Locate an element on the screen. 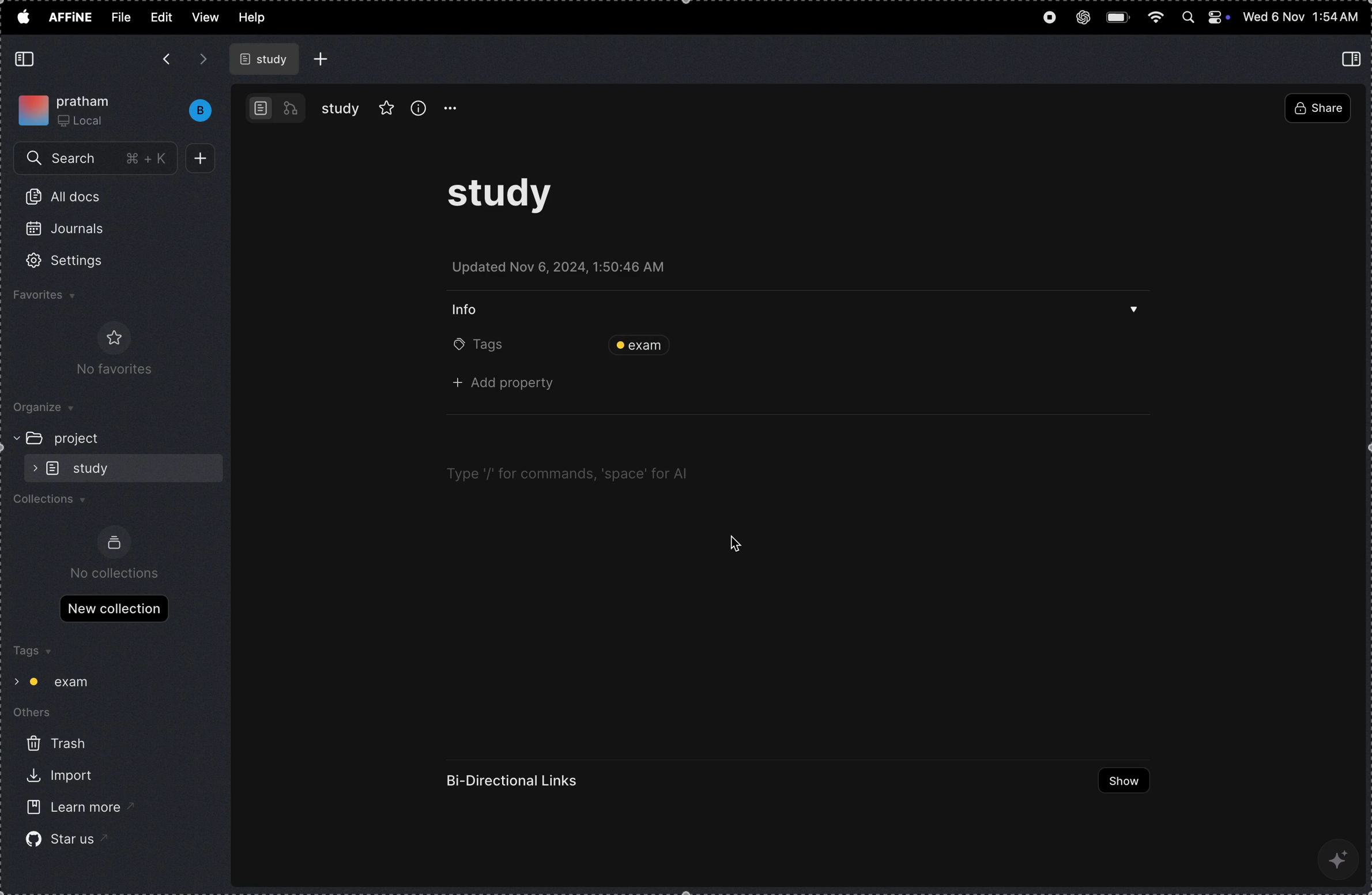 This screenshot has width=1372, height=895. collapse side bar is located at coordinates (1354, 58).